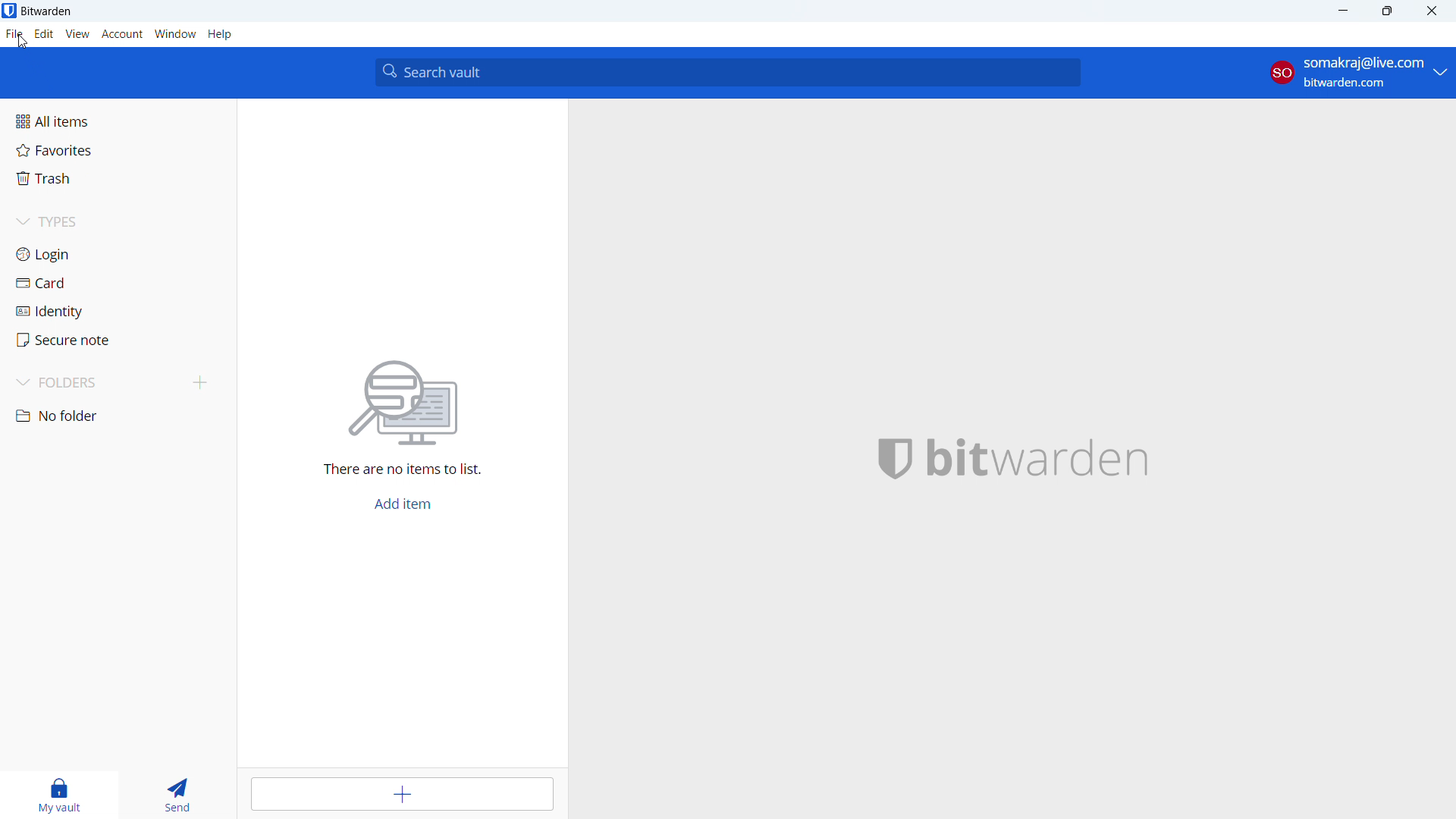 Image resolution: width=1456 pixels, height=819 pixels. Describe the element at coordinates (115, 416) in the screenshot. I see `no folder` at that location.